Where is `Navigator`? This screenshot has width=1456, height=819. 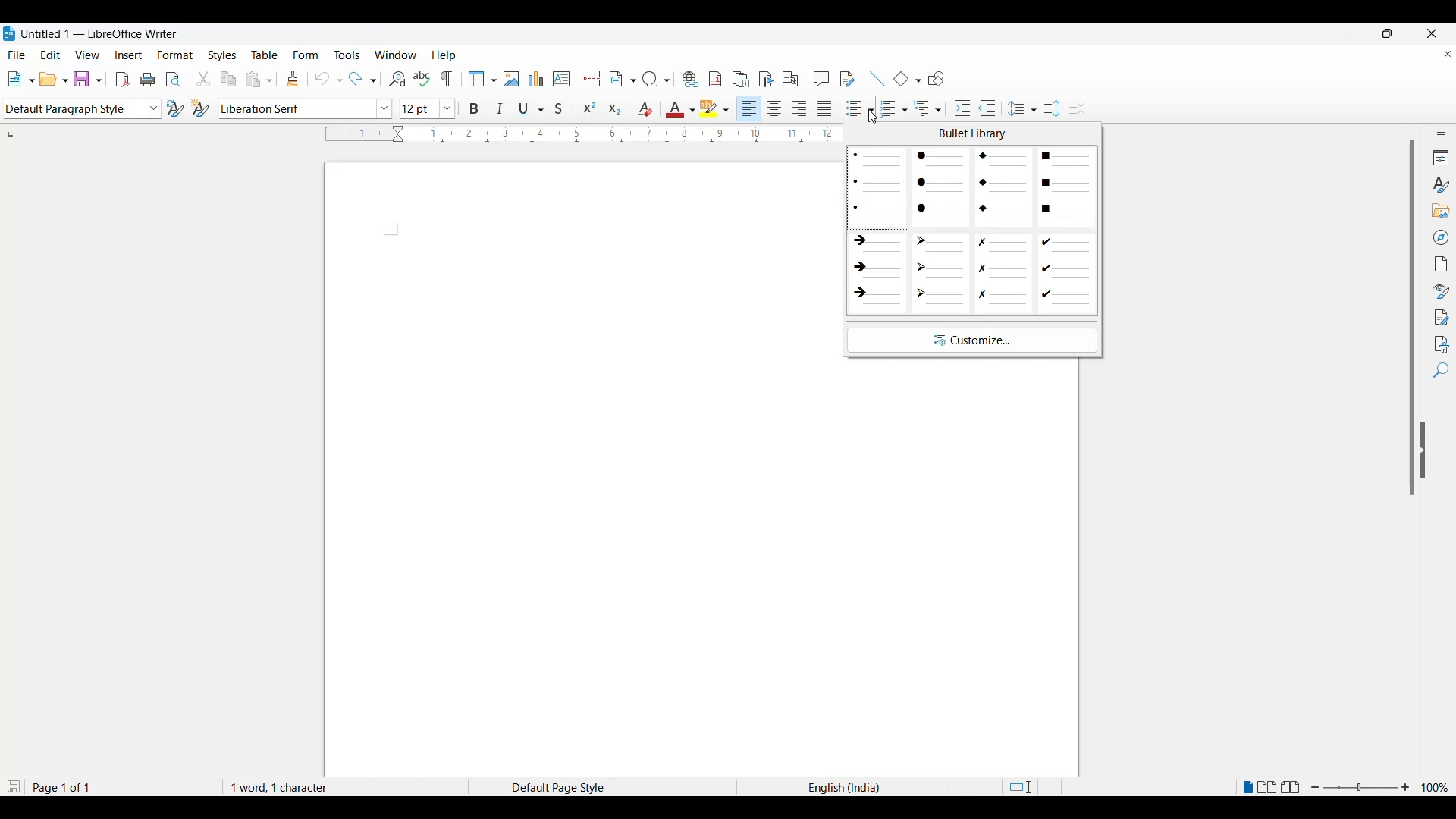
Navigator is located at coordinates (1439, 236).